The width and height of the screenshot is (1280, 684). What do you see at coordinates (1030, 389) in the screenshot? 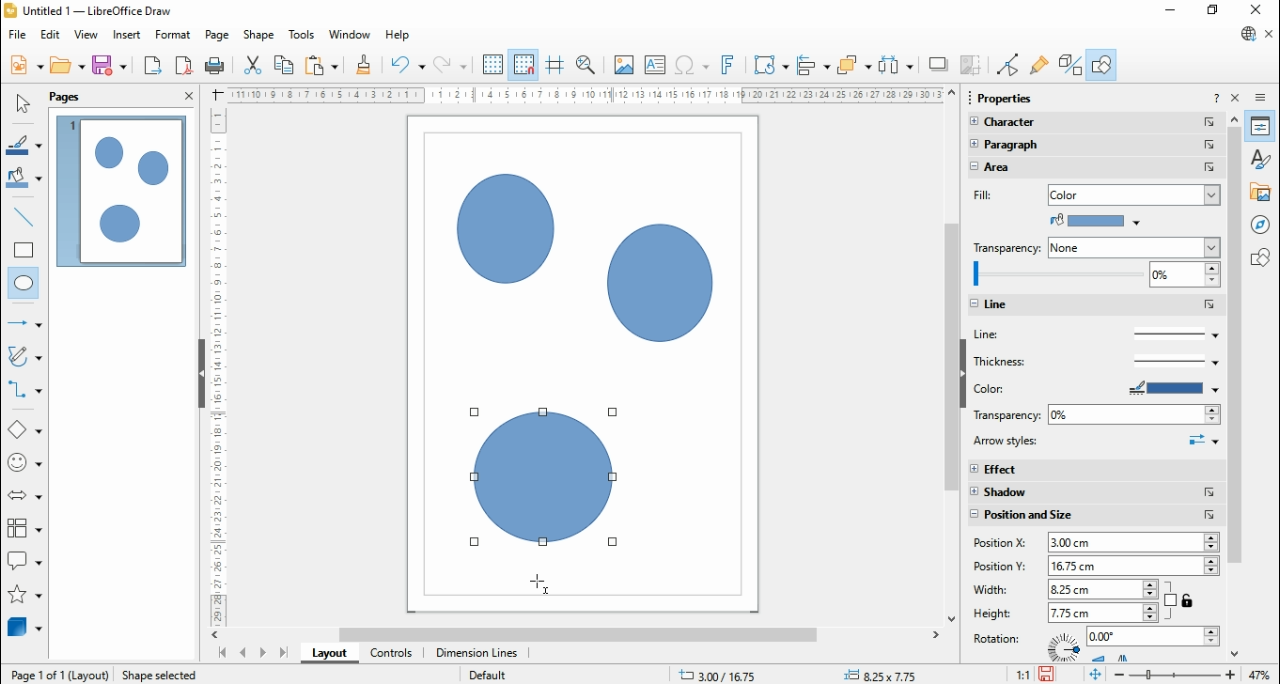
I see `color` at bounding box center [1030, 389].